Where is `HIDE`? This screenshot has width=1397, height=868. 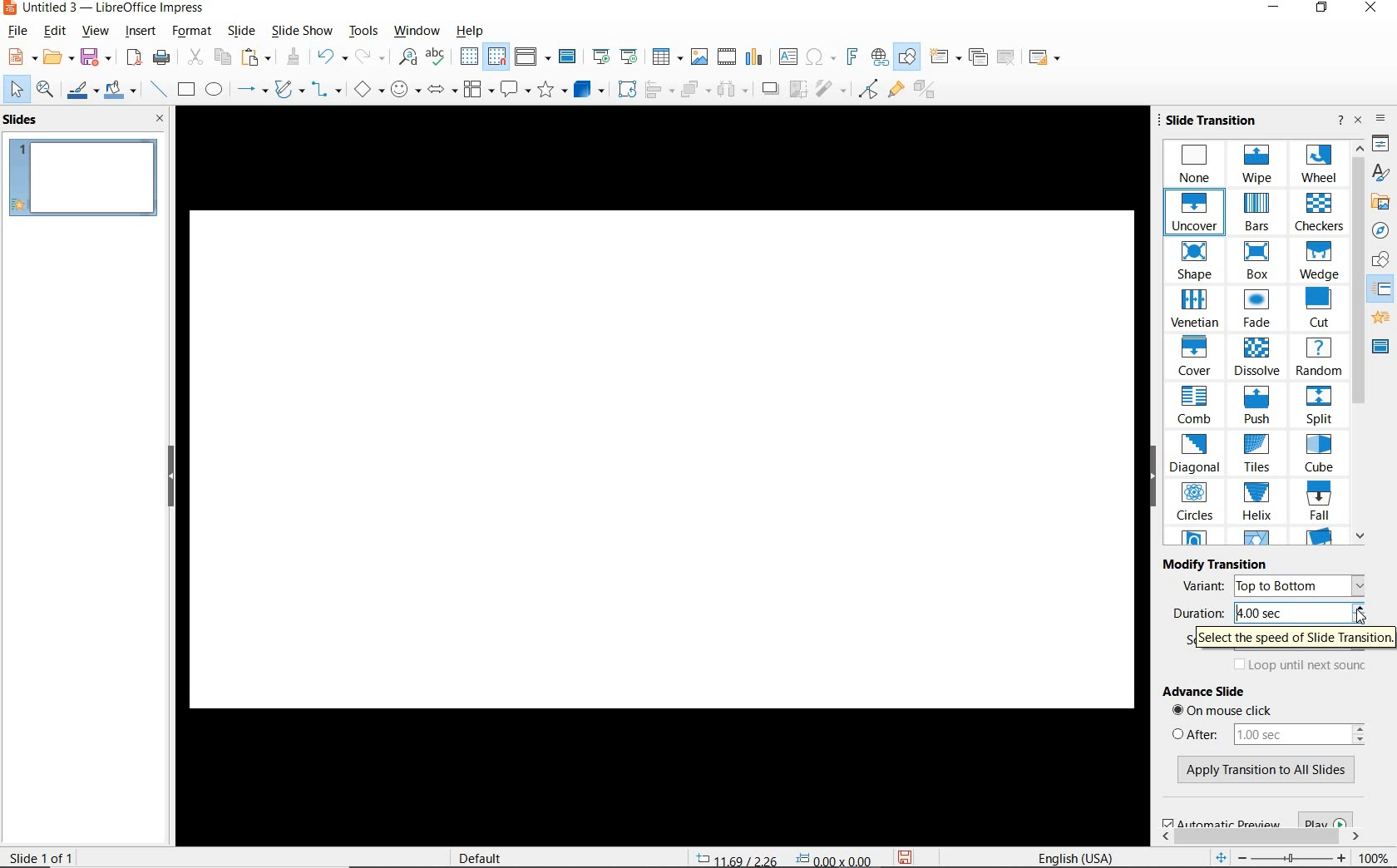 HIDE is located at coordinates (1158, 477).